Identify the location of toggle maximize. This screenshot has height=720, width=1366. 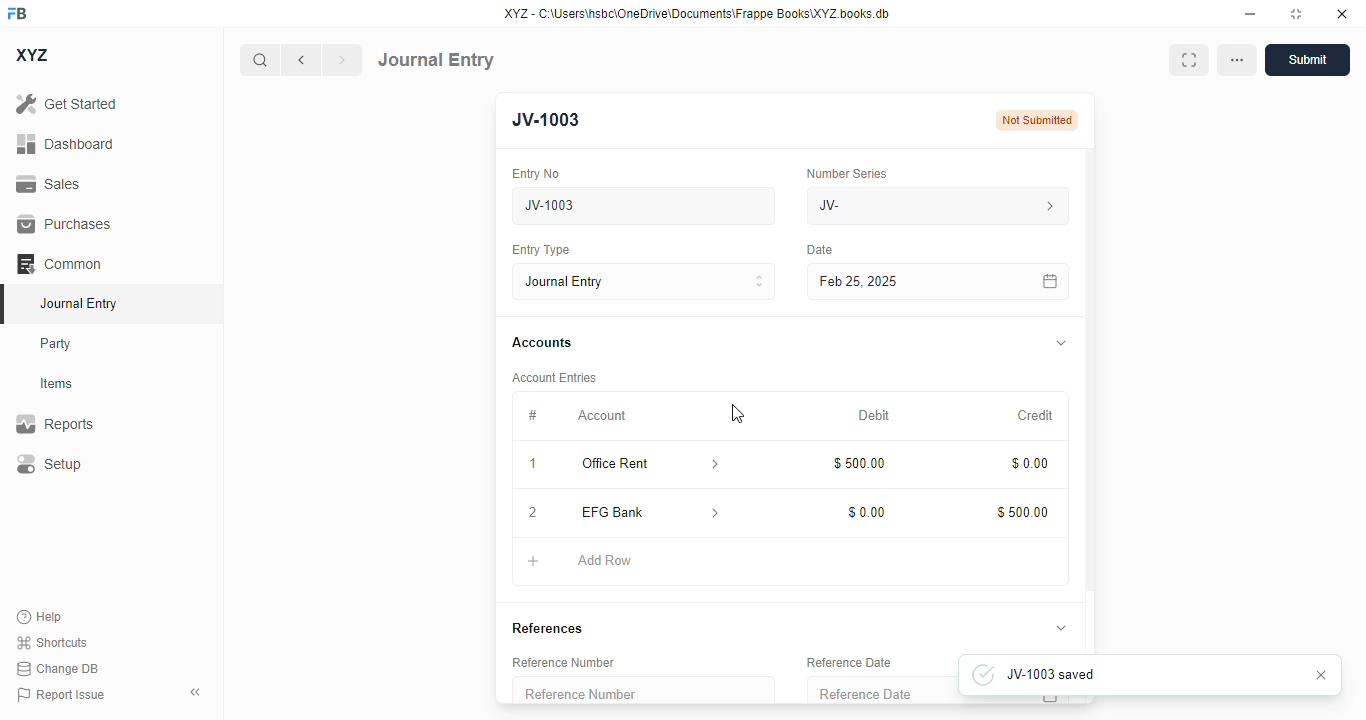
(1295, 14).